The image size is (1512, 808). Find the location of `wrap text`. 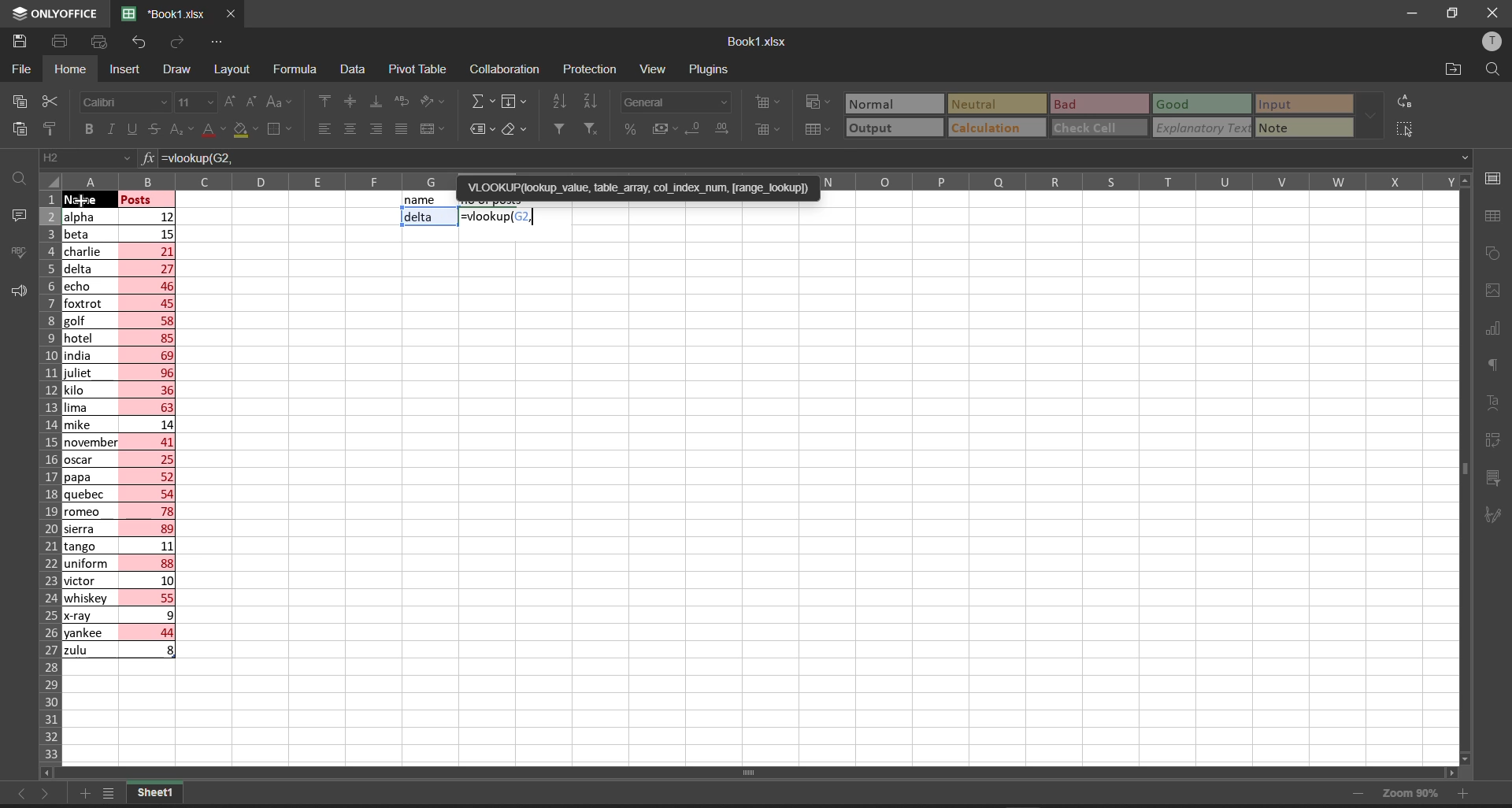

wrap text is located at coordinates (406, 103).